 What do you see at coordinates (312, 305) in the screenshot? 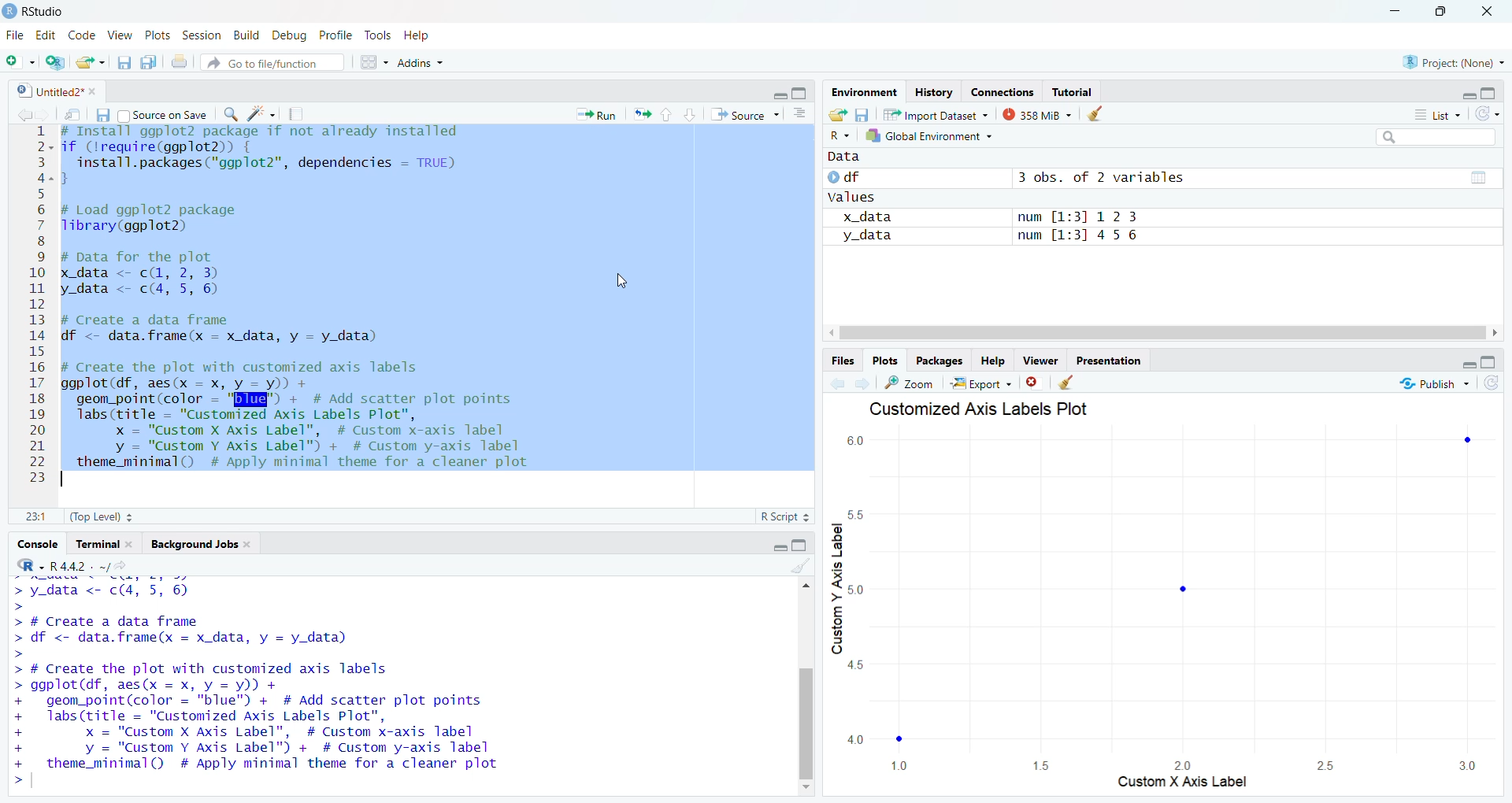
I see `Be eS REL Bont B® Tw TEE TEES
2+ if (lrequire(ggplot2)) {

3 install.packages ("ggplot2", dependencies = TRUE)

4-3

5

6 # Load ggplot2 package

7 Tibrary(ggplot2)

8

9 # pata for the p1dt

10 x_data <- c(1, 2, 3)

11 y_data <- c(4, 5, 6)

12

13 # Create a data frame

14 df <- data.frame(x = x_data, y = y_data)

15

16 # Create the plot with customized axis labels

17 ggplot(df, aes(x = x, y = y)) +

18 geom_point(color - "Eil") + # Add scatter plot points
19 labs (title = "Customized Axis Labels Plot",

20 x = "Custom X Axis Label", # Custom x-axis label
21 y = "Custom Y Axis Label") + # Custom y-axis label
22 | theme_minimal() # Apply minimal theme for a cleaner plot
23` at bounding box center [312, 305].